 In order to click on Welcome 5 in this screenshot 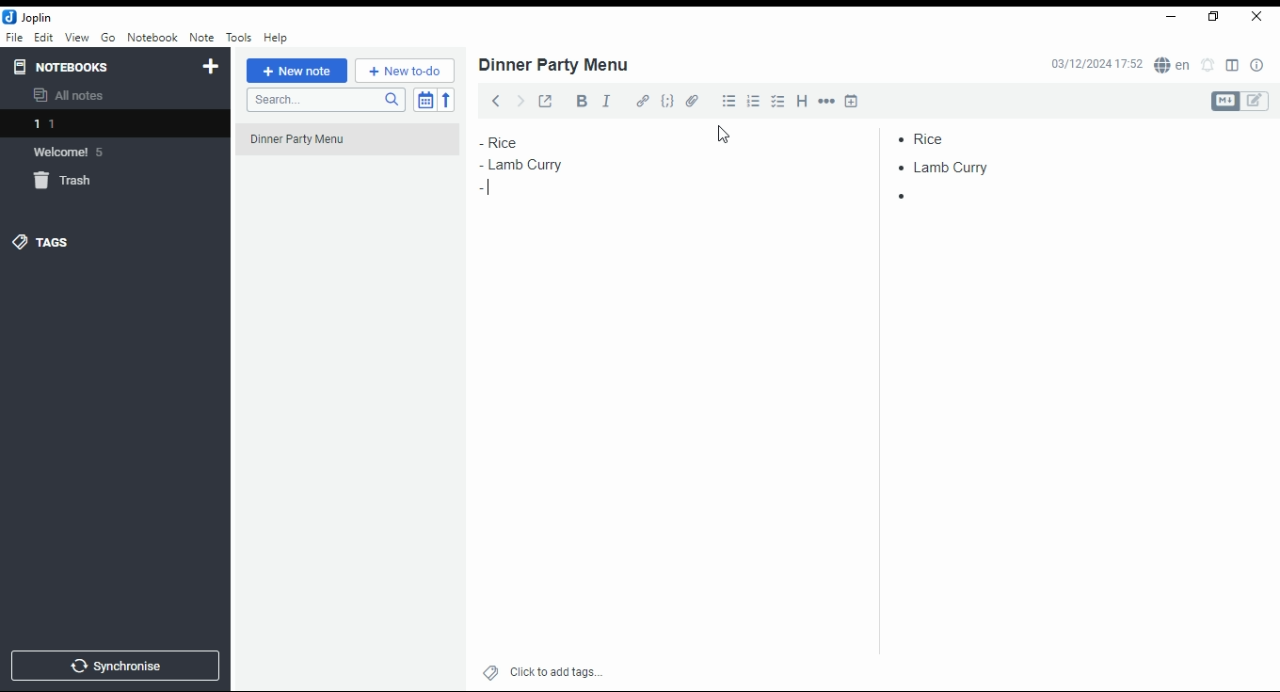, I will do `click(79, 152)`.